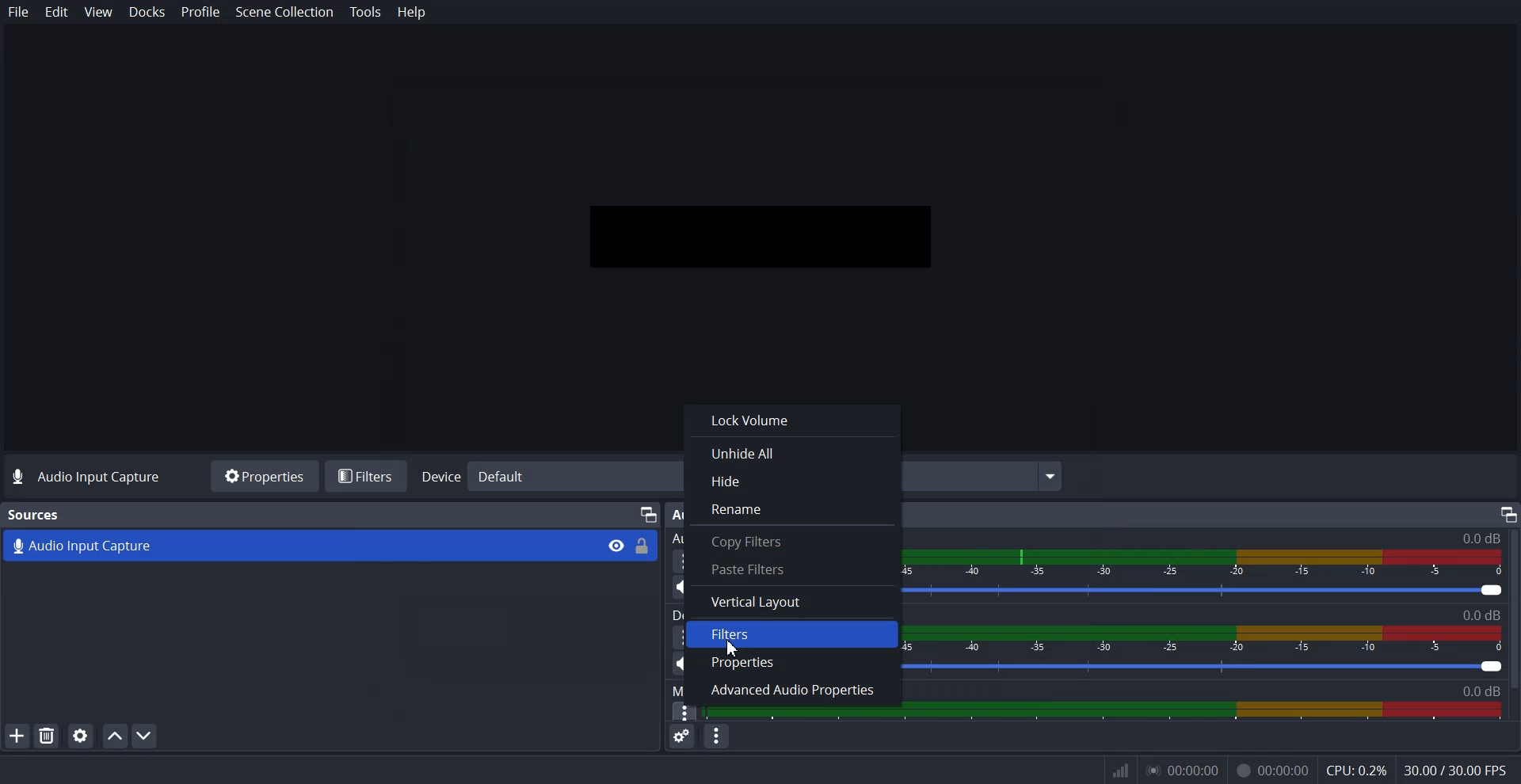 The image size is (1521, 784). What do you see at coordinates (687, 714) in the screenshot?
I see `Cursor` at bounding box center [687, 714].